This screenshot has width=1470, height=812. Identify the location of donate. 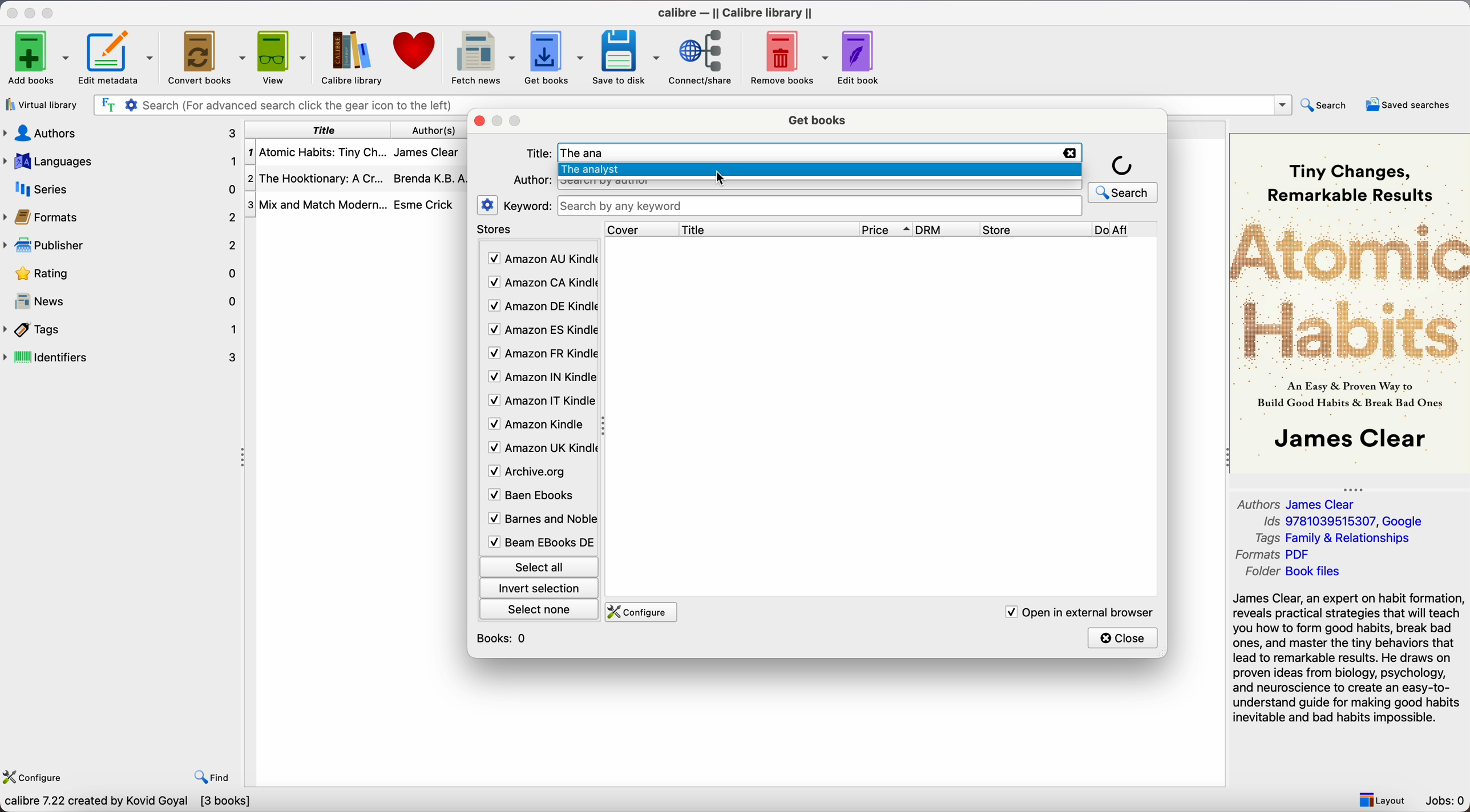
(413, 53).